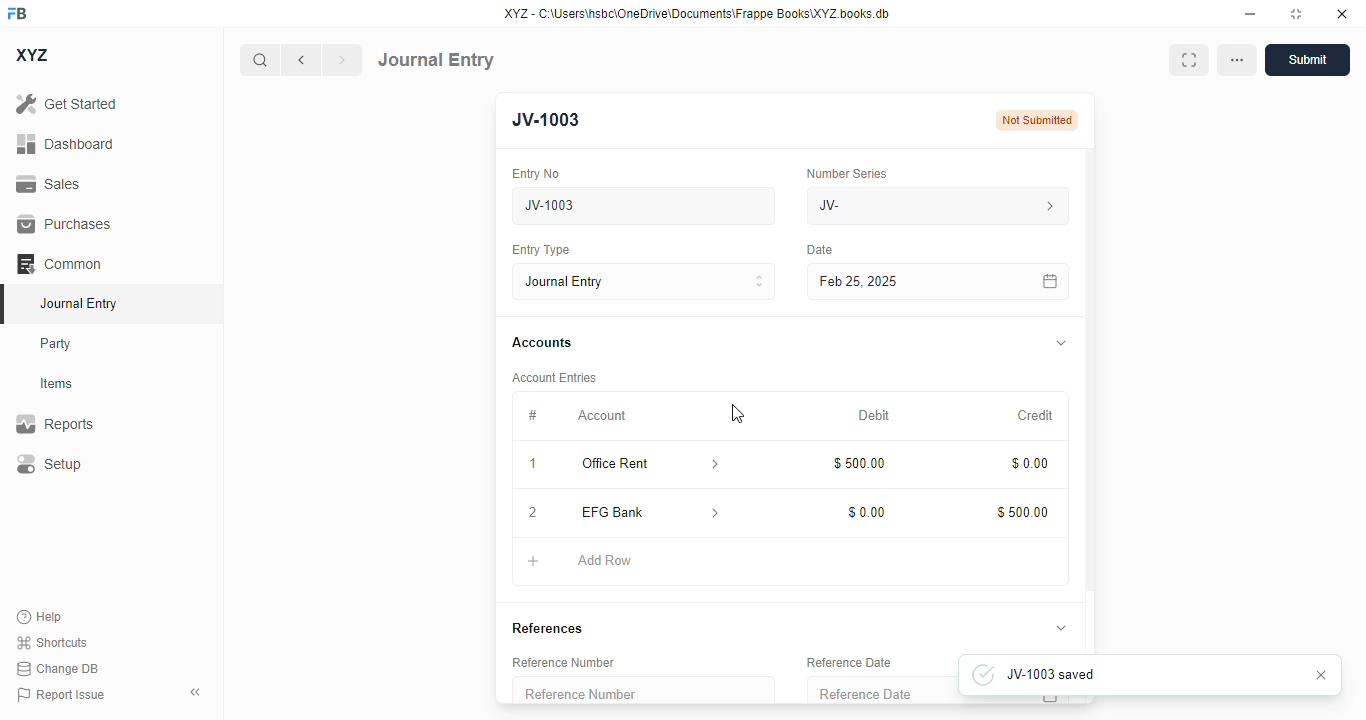 Image resolution: width=1366 pixels, height=720 pixels. I want to click on cancel, so click(1321, 676).